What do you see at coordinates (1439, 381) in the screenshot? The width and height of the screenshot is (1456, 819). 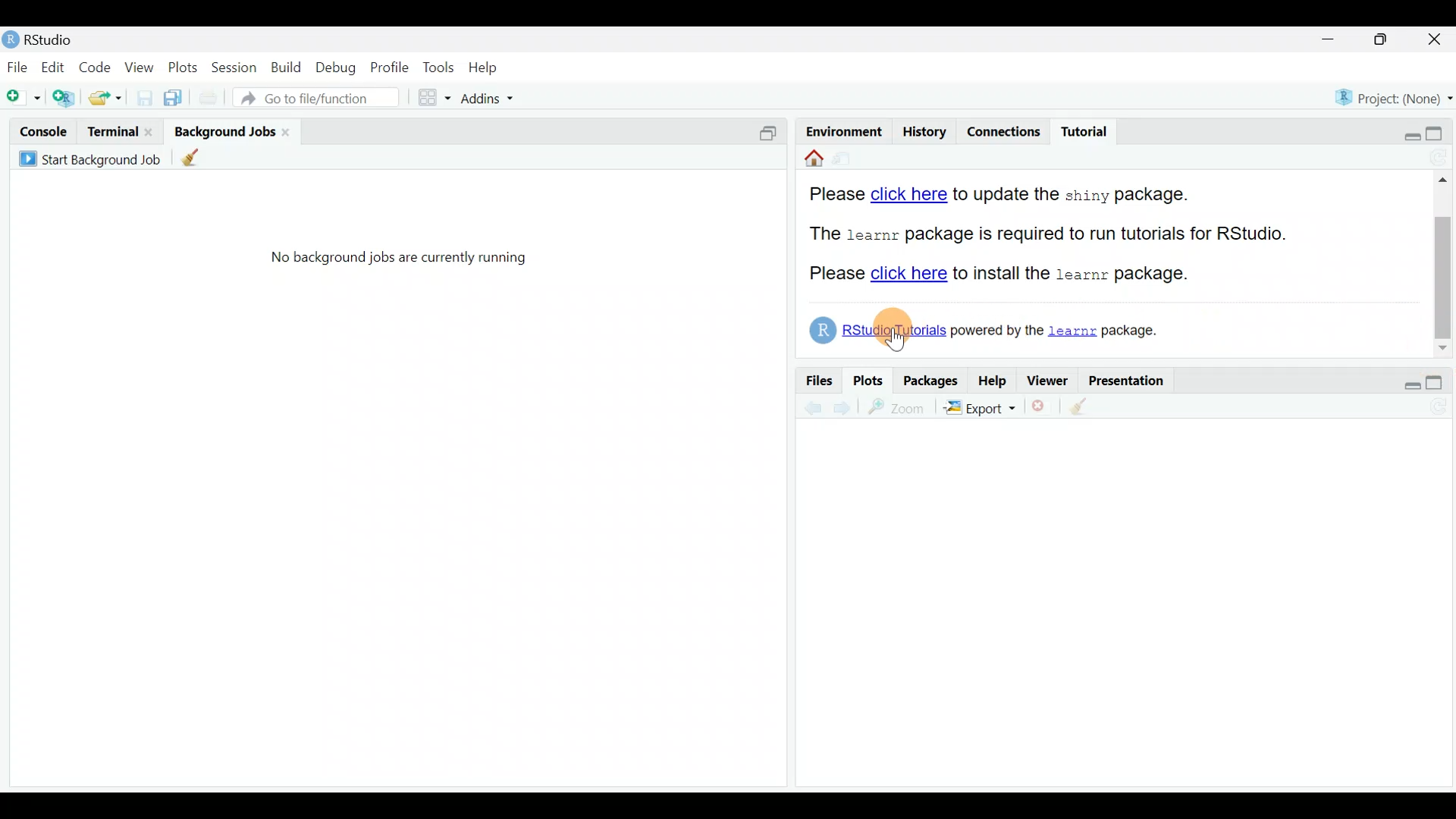 I see `maximize` at bounding box center [1439, 381].